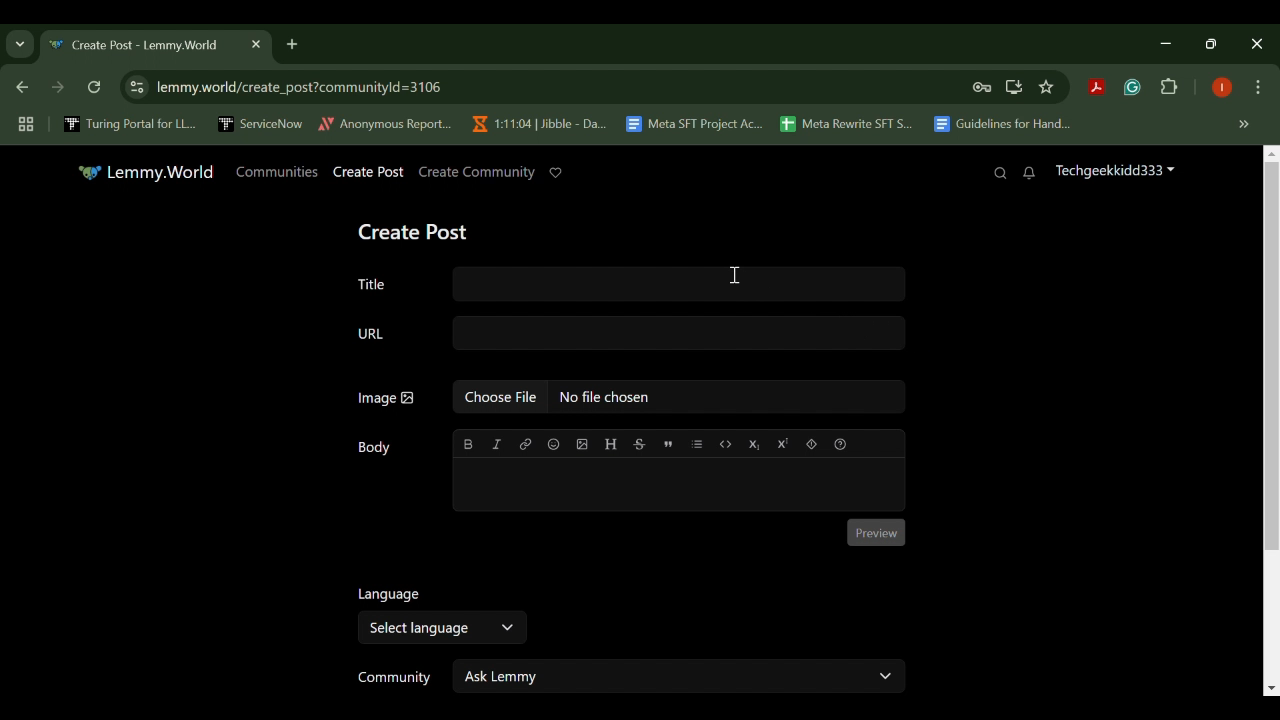 Image resolution: width=1280 pixels, height=720 pixels. I want to click on list, so click(698, 443).